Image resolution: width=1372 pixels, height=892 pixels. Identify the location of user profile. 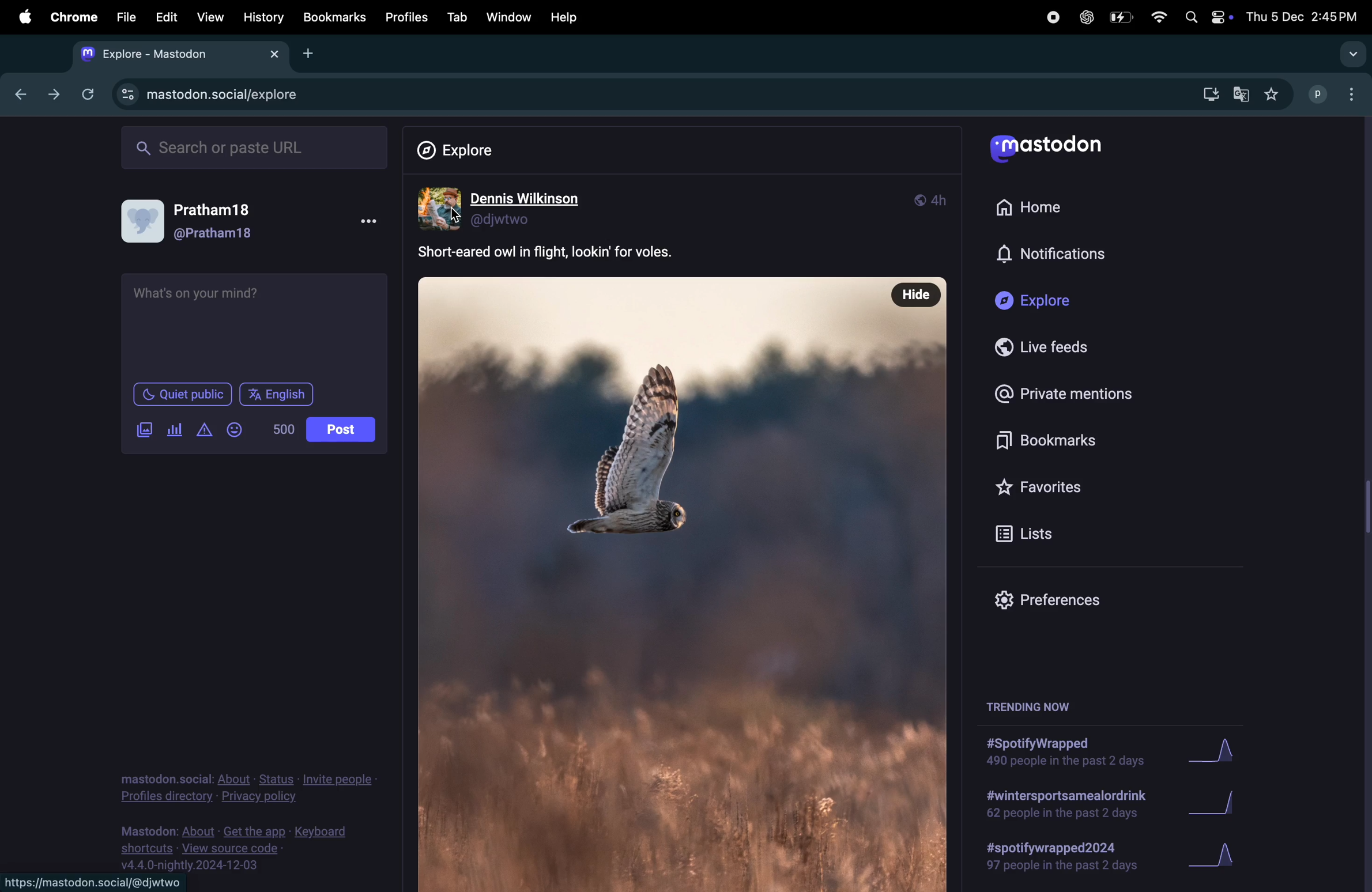
(201, 219).